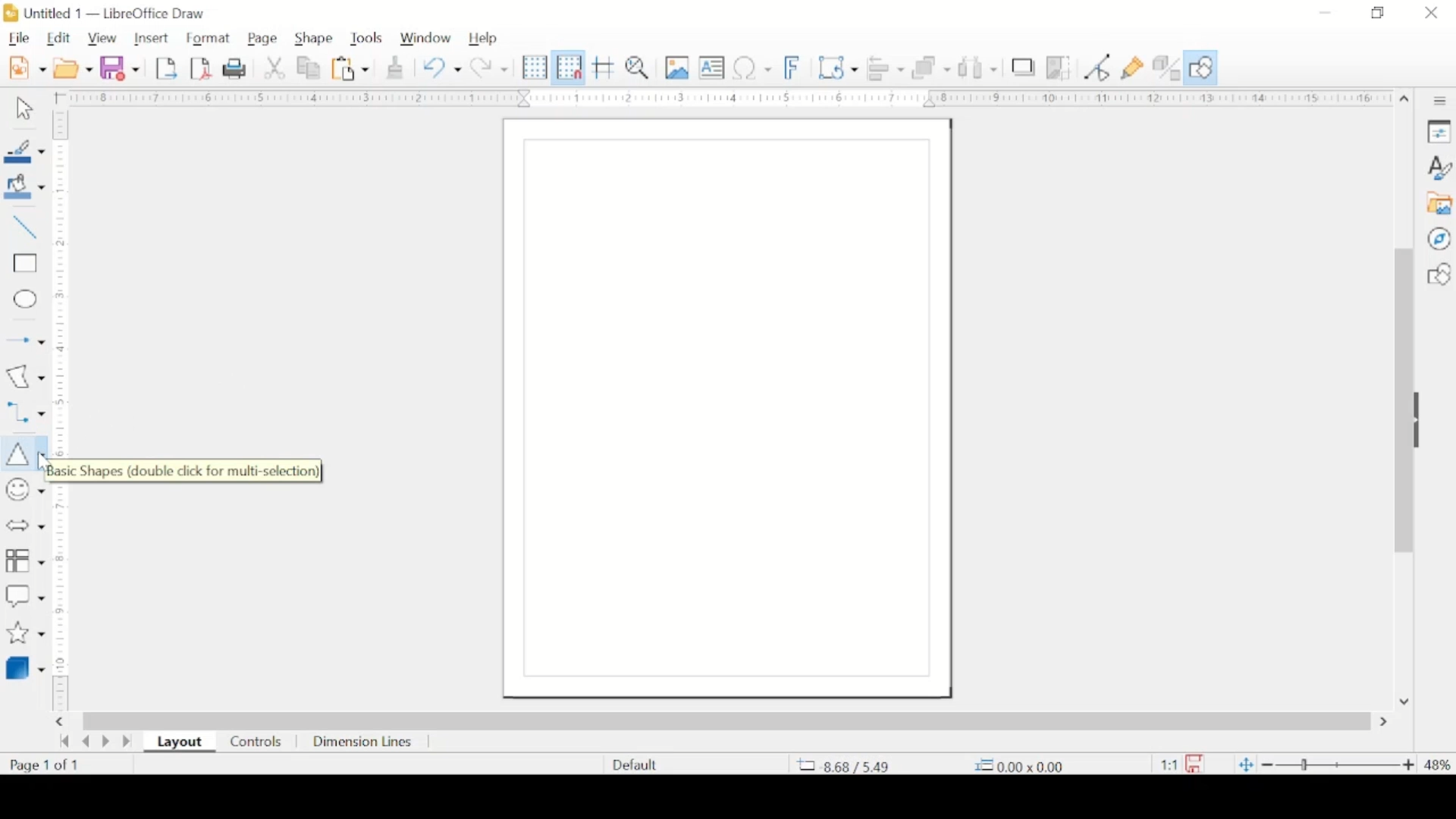  Describe the element at coordinates (25, 559) in the screenshot. I see `flowchart` at that location.